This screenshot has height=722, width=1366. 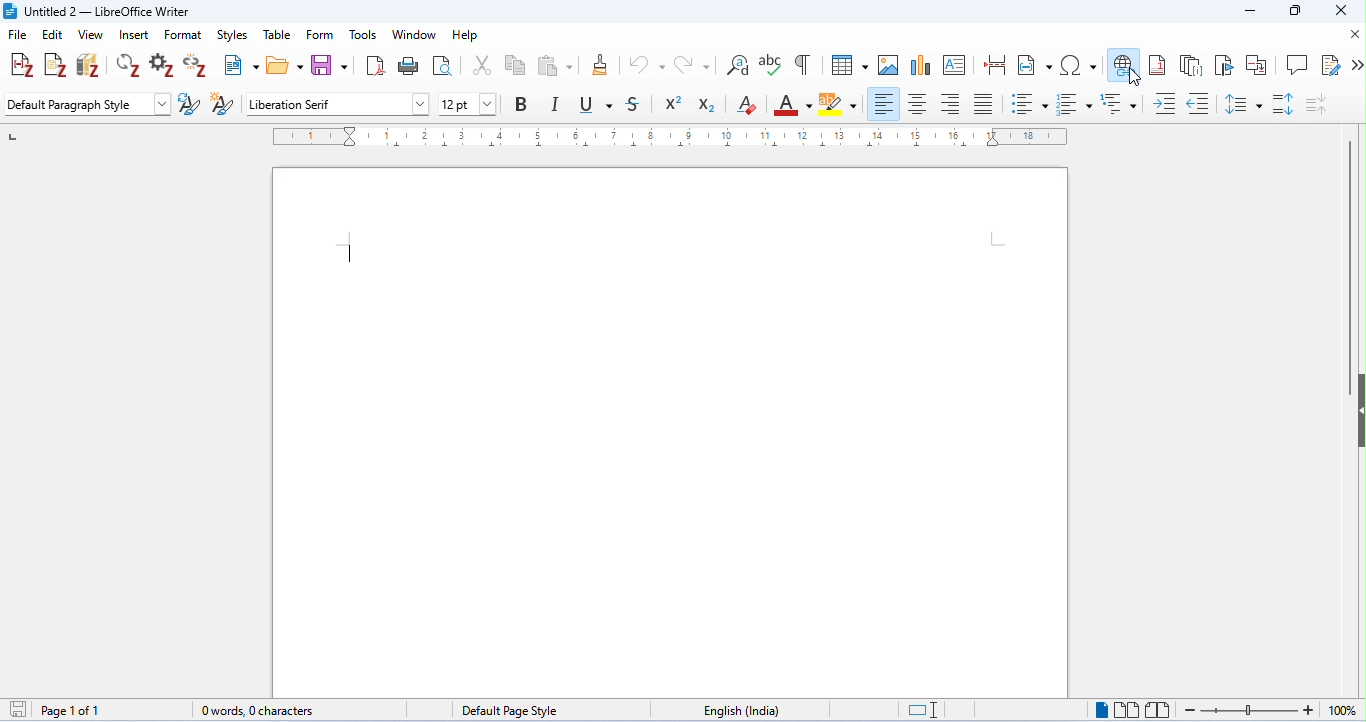 I want to click on set document preference, so click(x=164, y=65).